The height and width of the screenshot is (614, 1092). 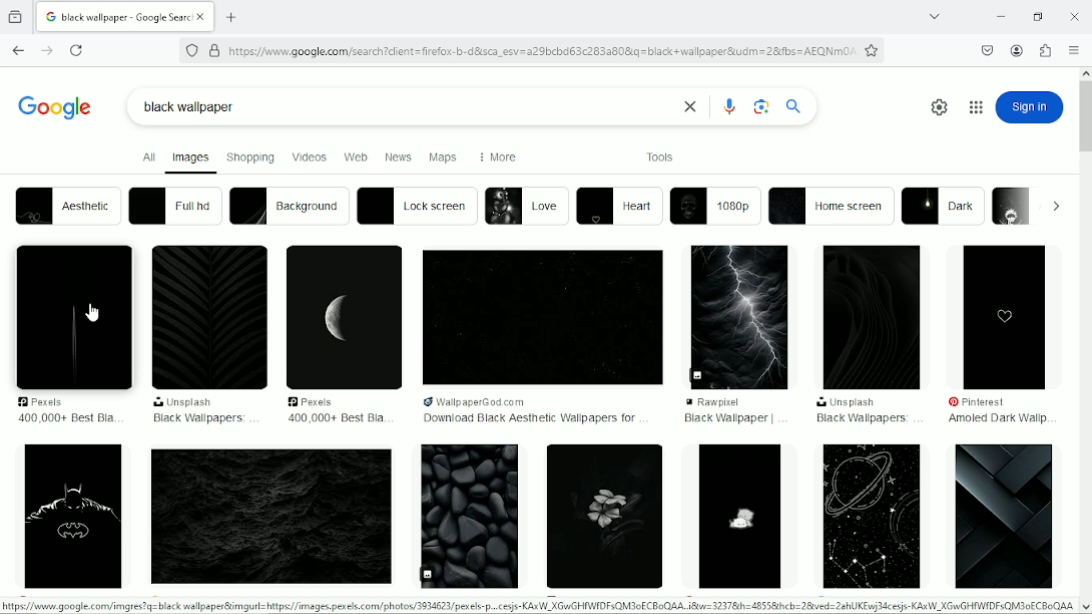 I want to click on pexels, so click(x=48, y=402).